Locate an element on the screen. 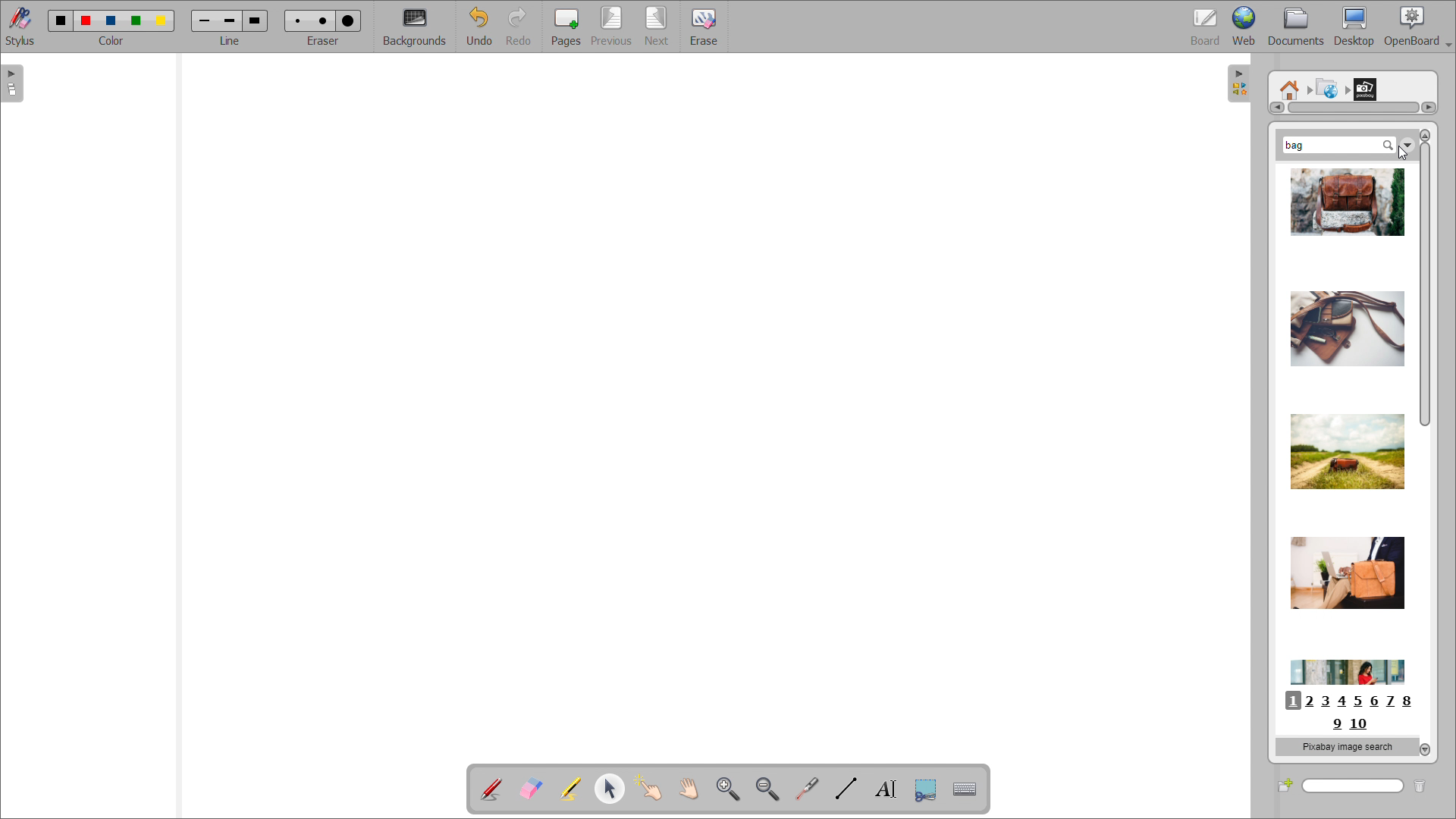  Line is located at coordinates (231, 41).